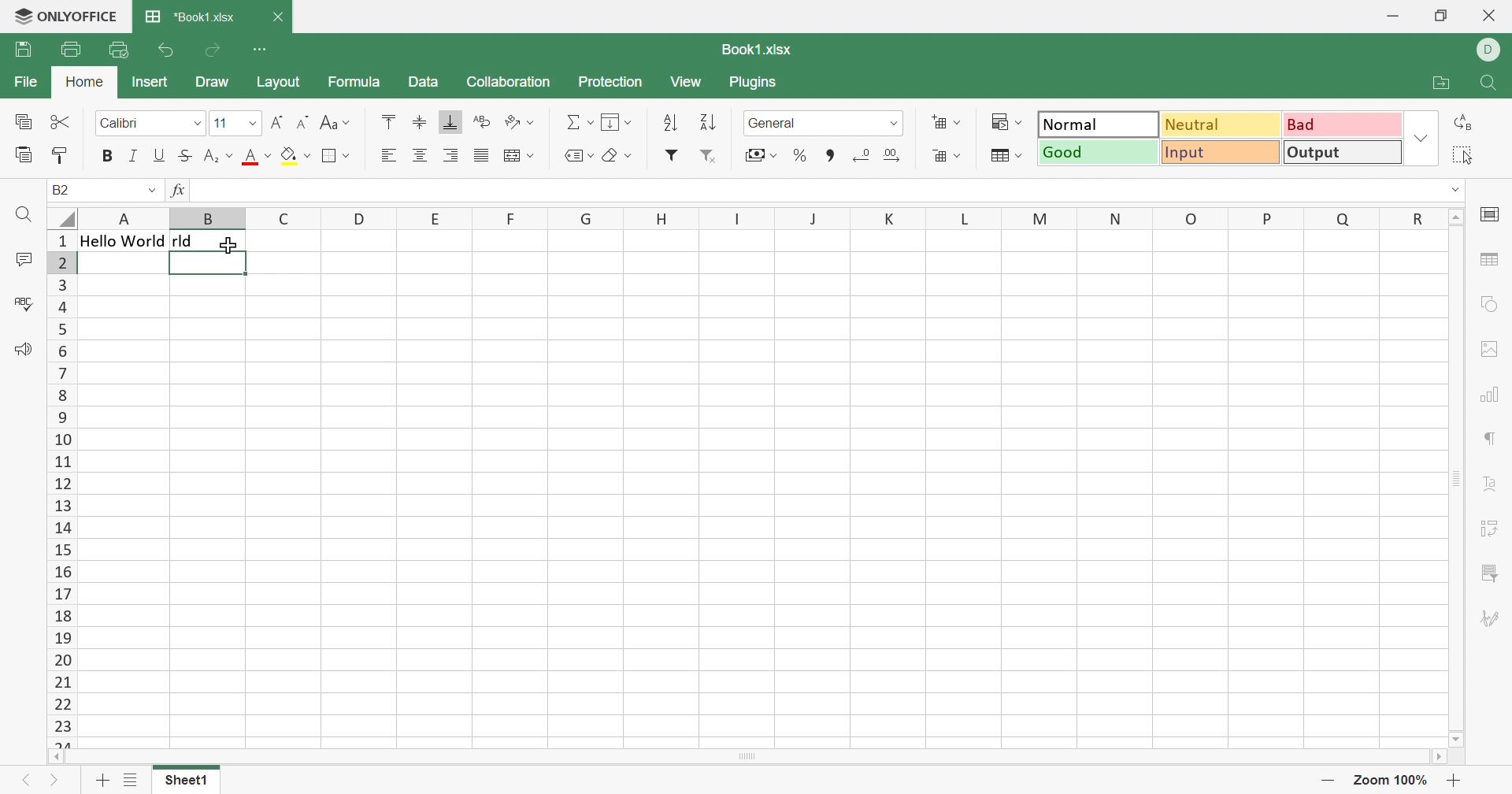 Image resolution: width=1512 pixels, height=794 pixels. Describe the element at coordinates (272, 80) in the screenshot. I see `Layout` at that location.